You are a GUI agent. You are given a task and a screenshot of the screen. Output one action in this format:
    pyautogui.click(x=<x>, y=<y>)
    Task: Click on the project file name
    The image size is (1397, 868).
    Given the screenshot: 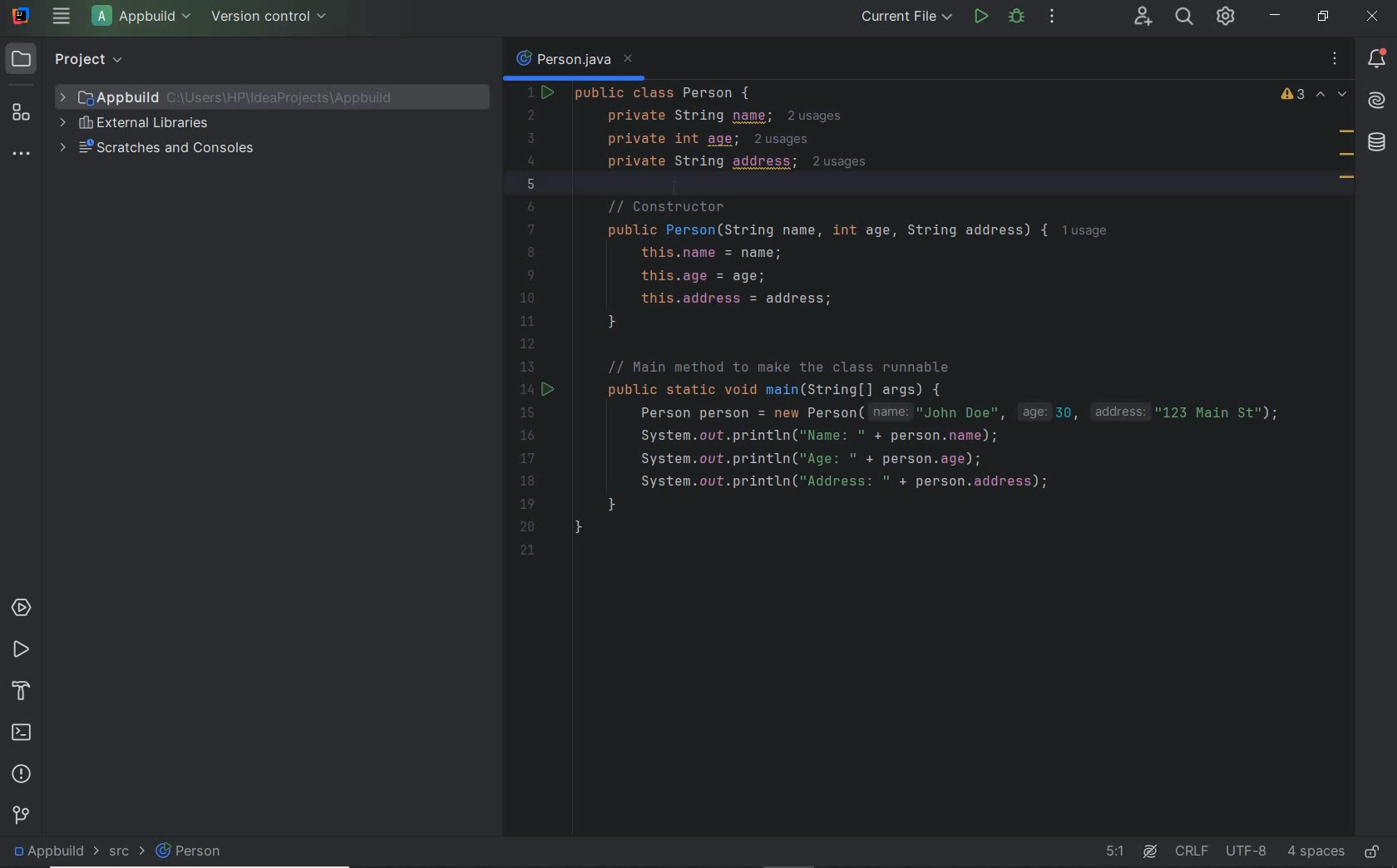 What is the action you would take?
    pyautogui.click(x=240, y=96)
    